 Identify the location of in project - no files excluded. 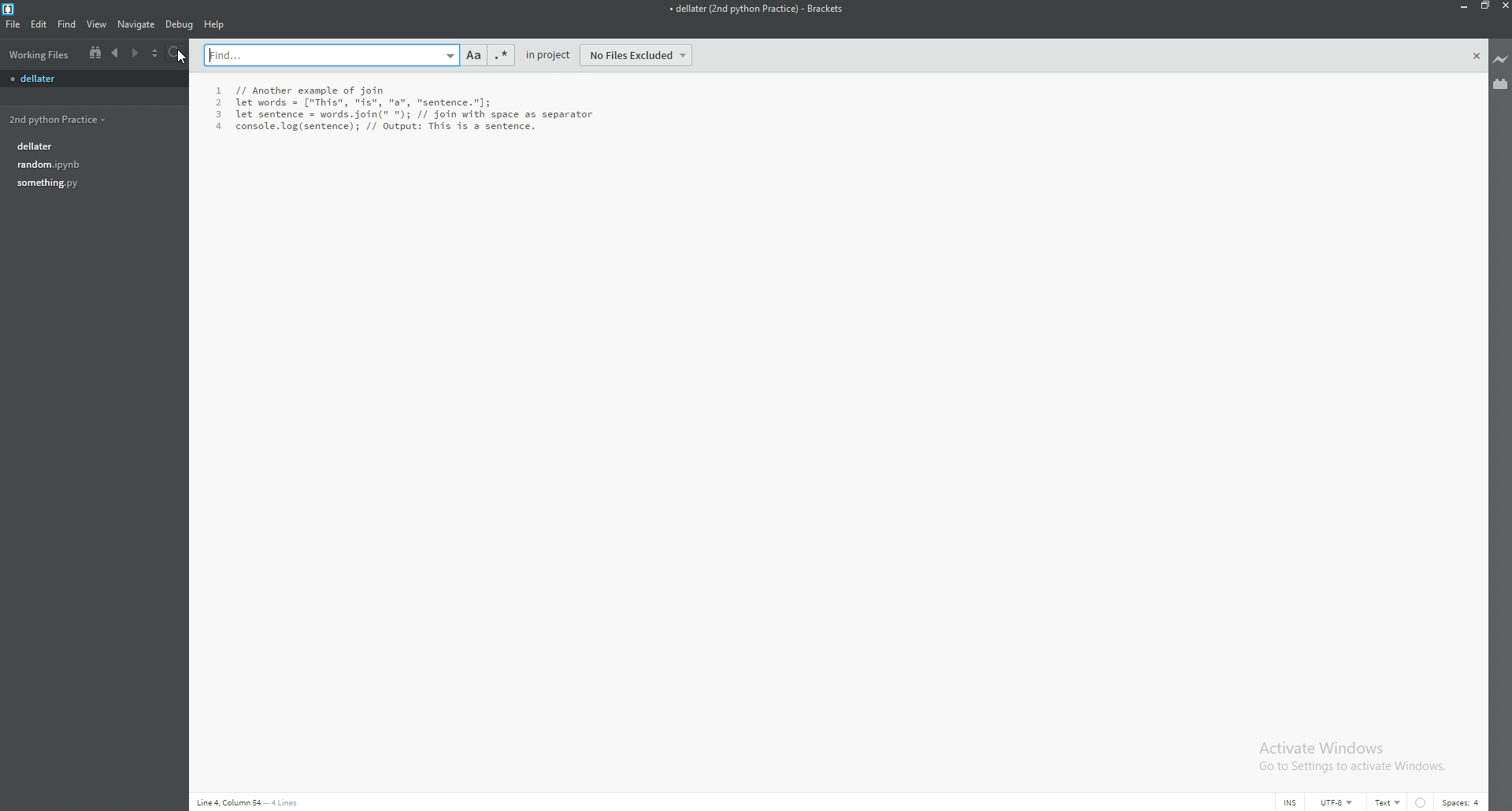
(609, 54).